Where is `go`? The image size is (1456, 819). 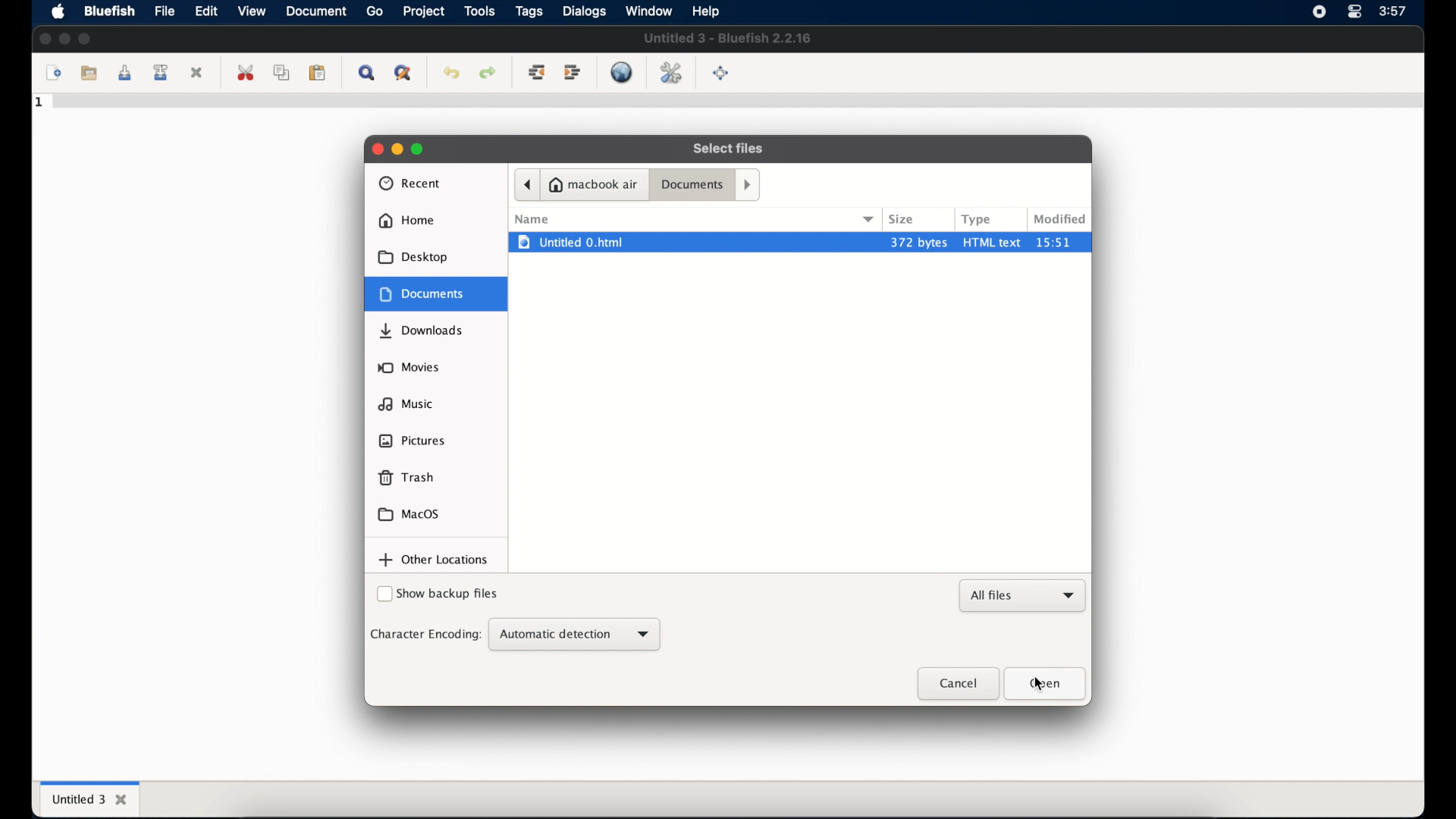 go is located at coordinates (375, 11).